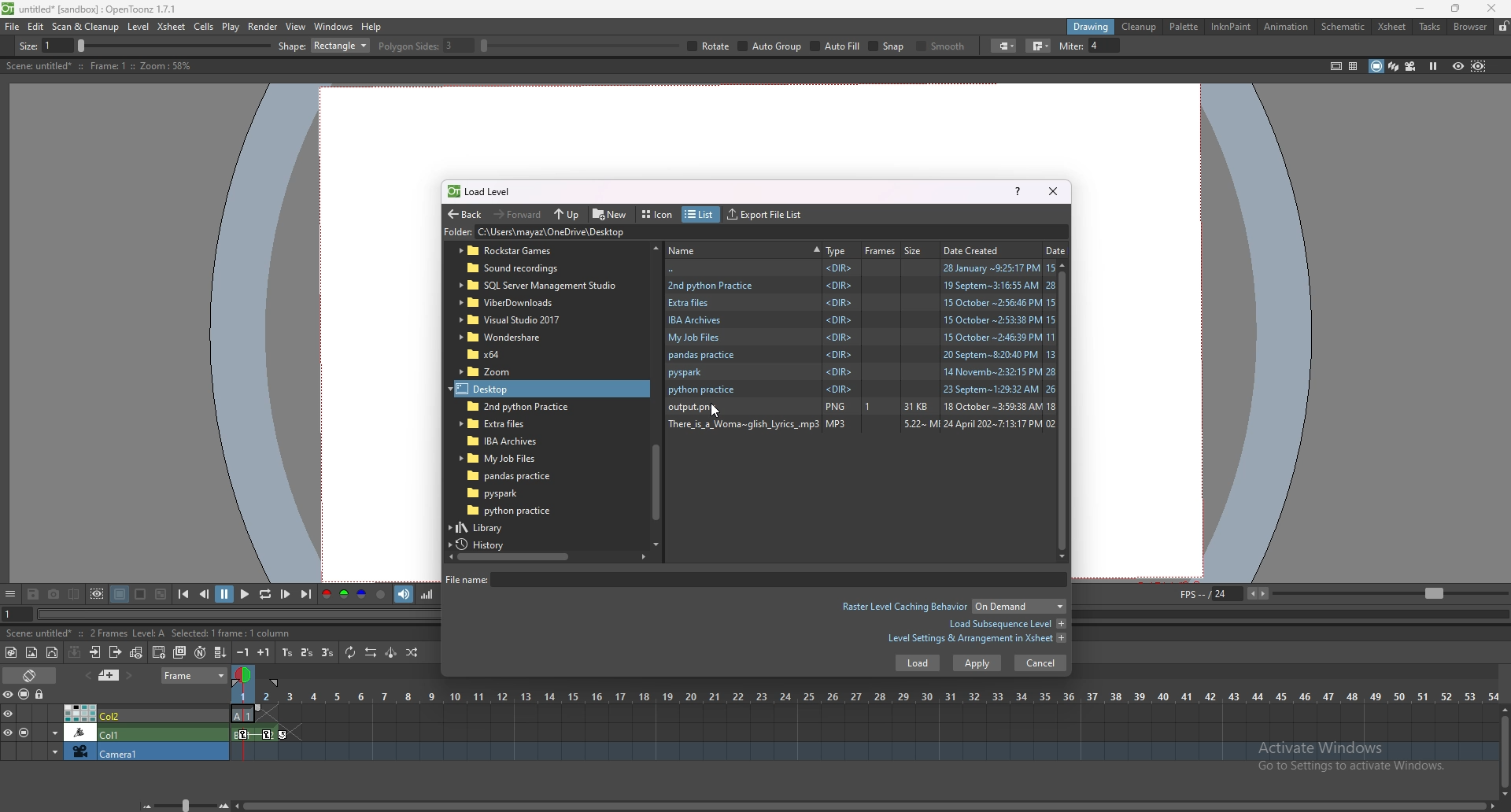  What do you see at coordinates (518, 213) in the screenshot?
I see `forward` at bounding box center [518, 213].